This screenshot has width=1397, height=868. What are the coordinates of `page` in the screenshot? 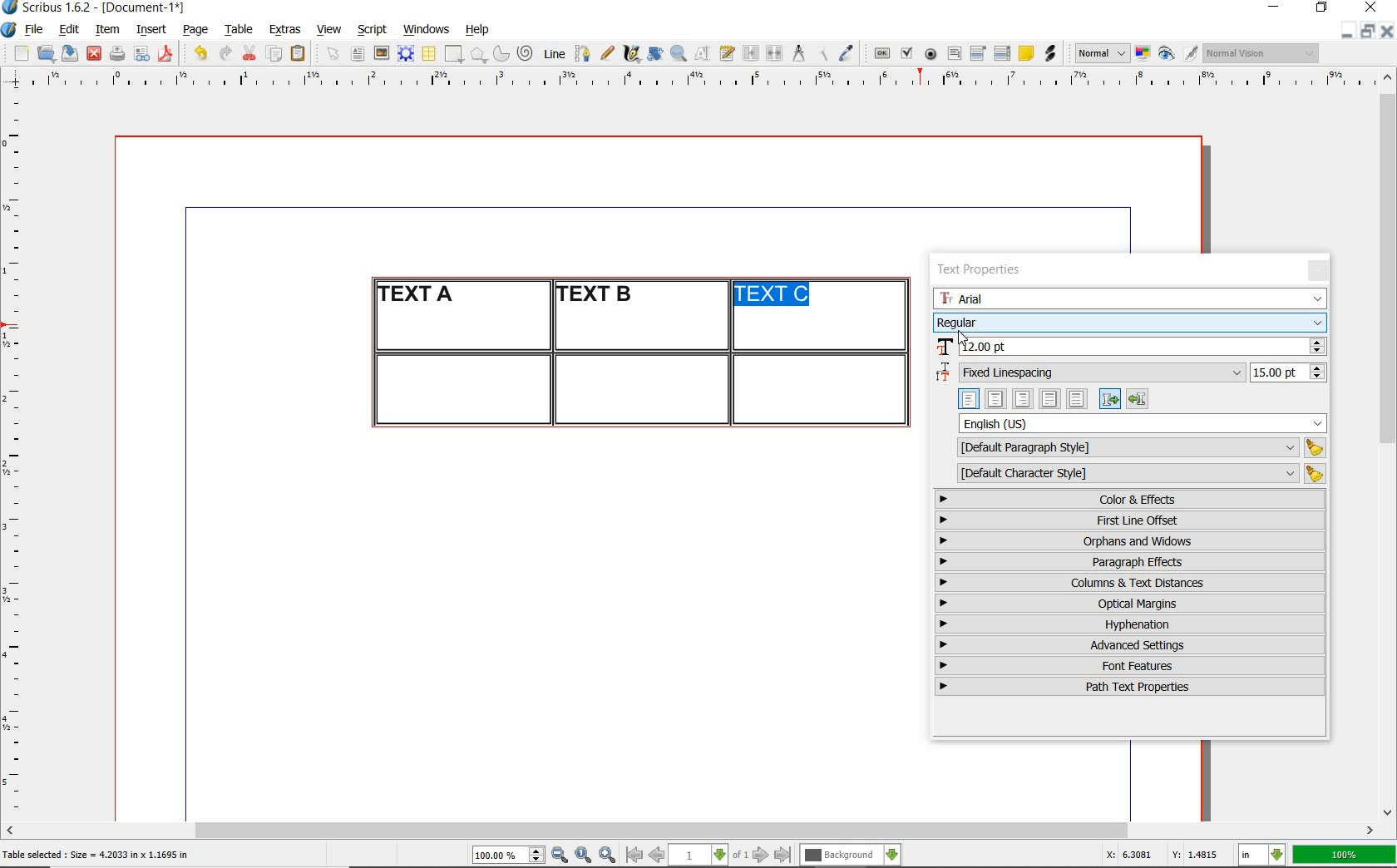 It's located at (195, 29).